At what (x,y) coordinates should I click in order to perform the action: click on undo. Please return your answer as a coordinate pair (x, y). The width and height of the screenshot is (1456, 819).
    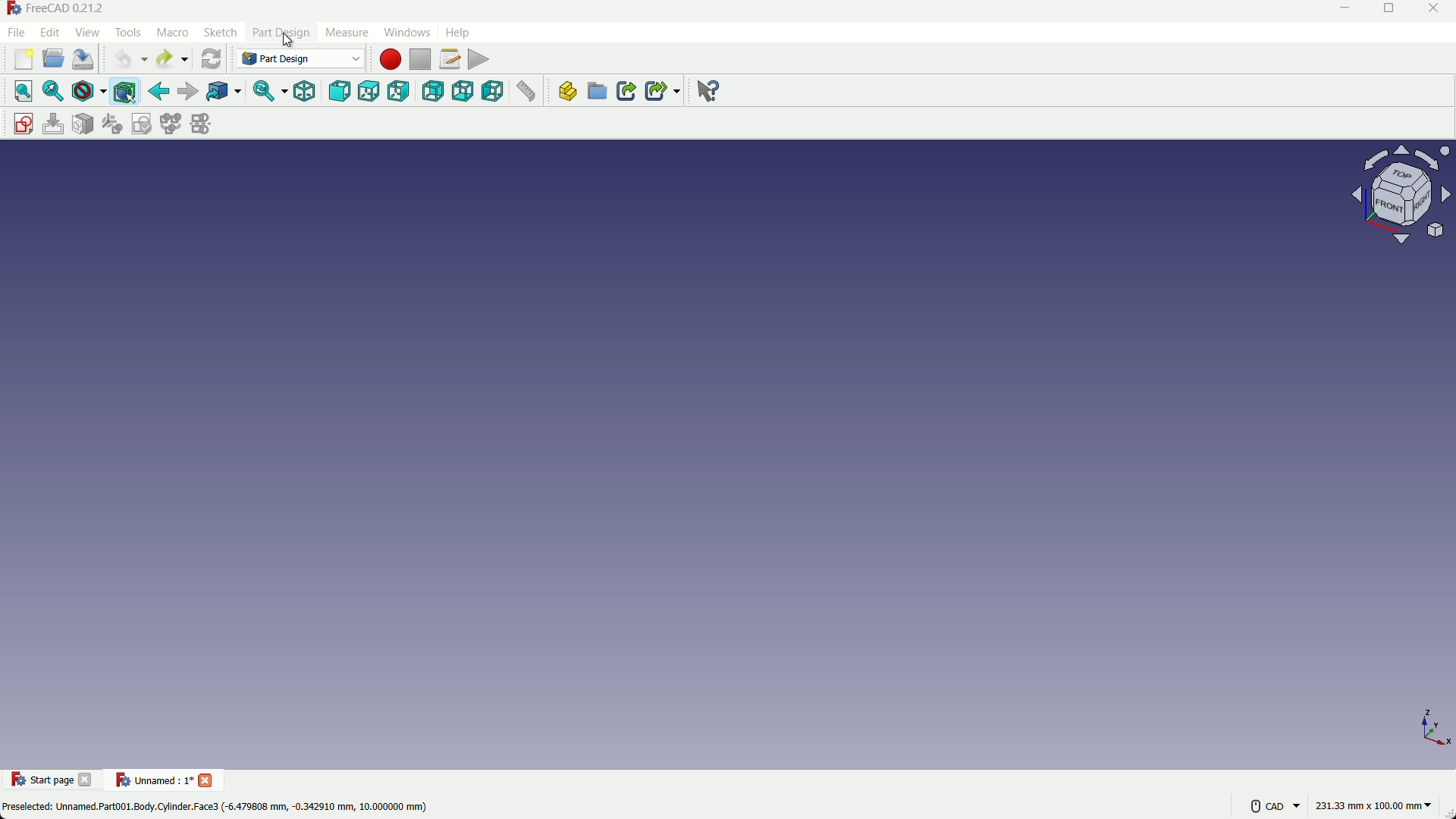
    Looking at the image, I should click on (123, 61).